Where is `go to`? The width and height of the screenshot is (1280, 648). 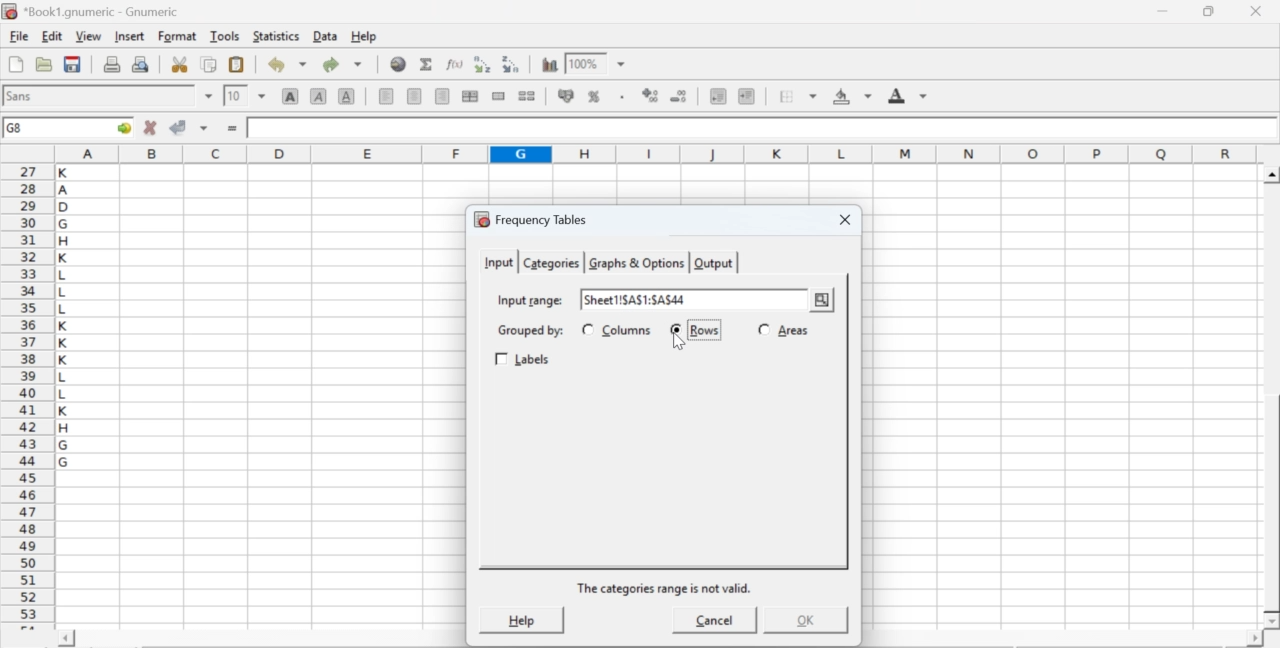 go to is located at coordinates (122, 127).